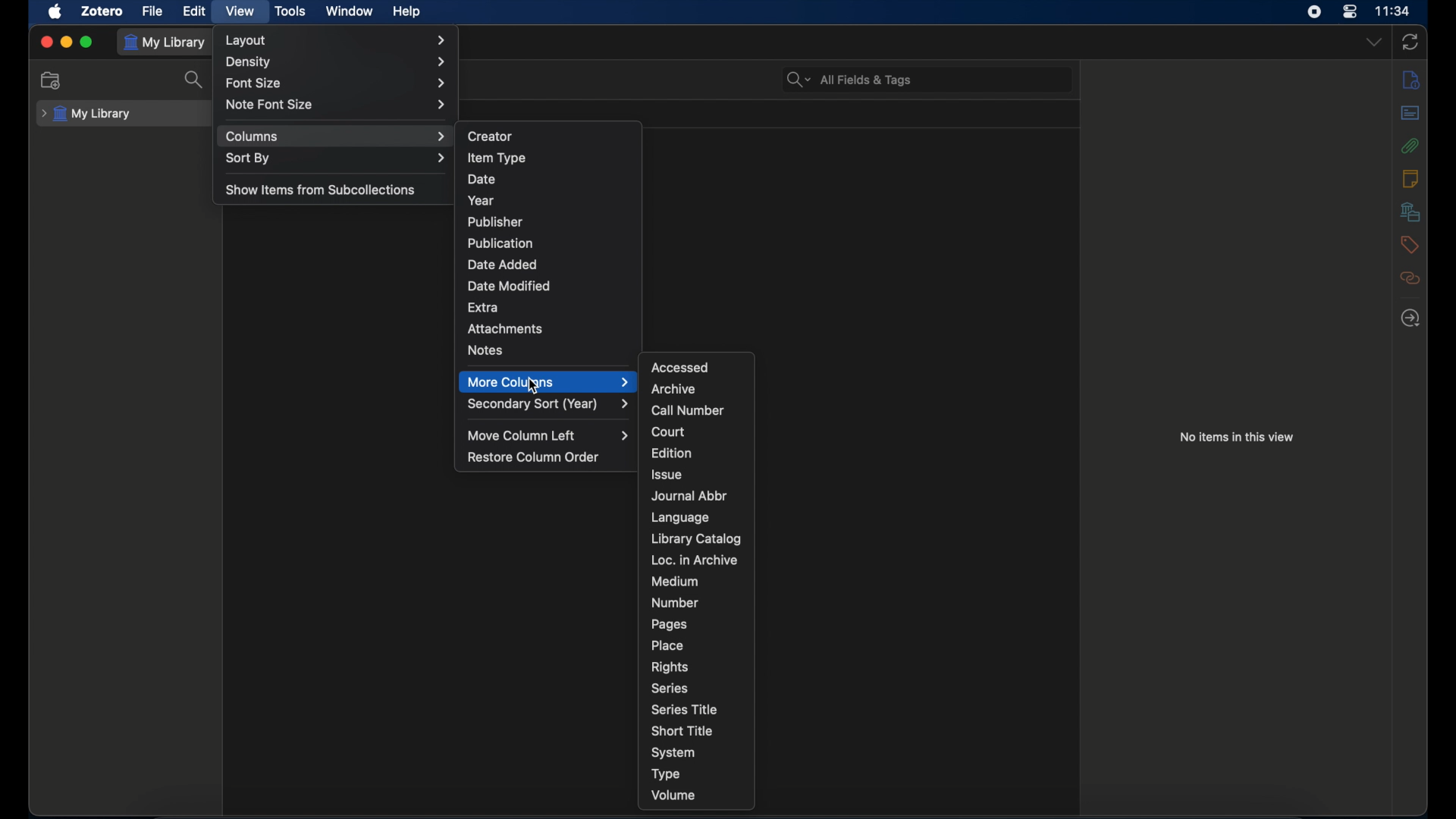  What do you see at coordinates (670, 667) in the screenshot?
I see `rights` at bounding box center [670, 667].